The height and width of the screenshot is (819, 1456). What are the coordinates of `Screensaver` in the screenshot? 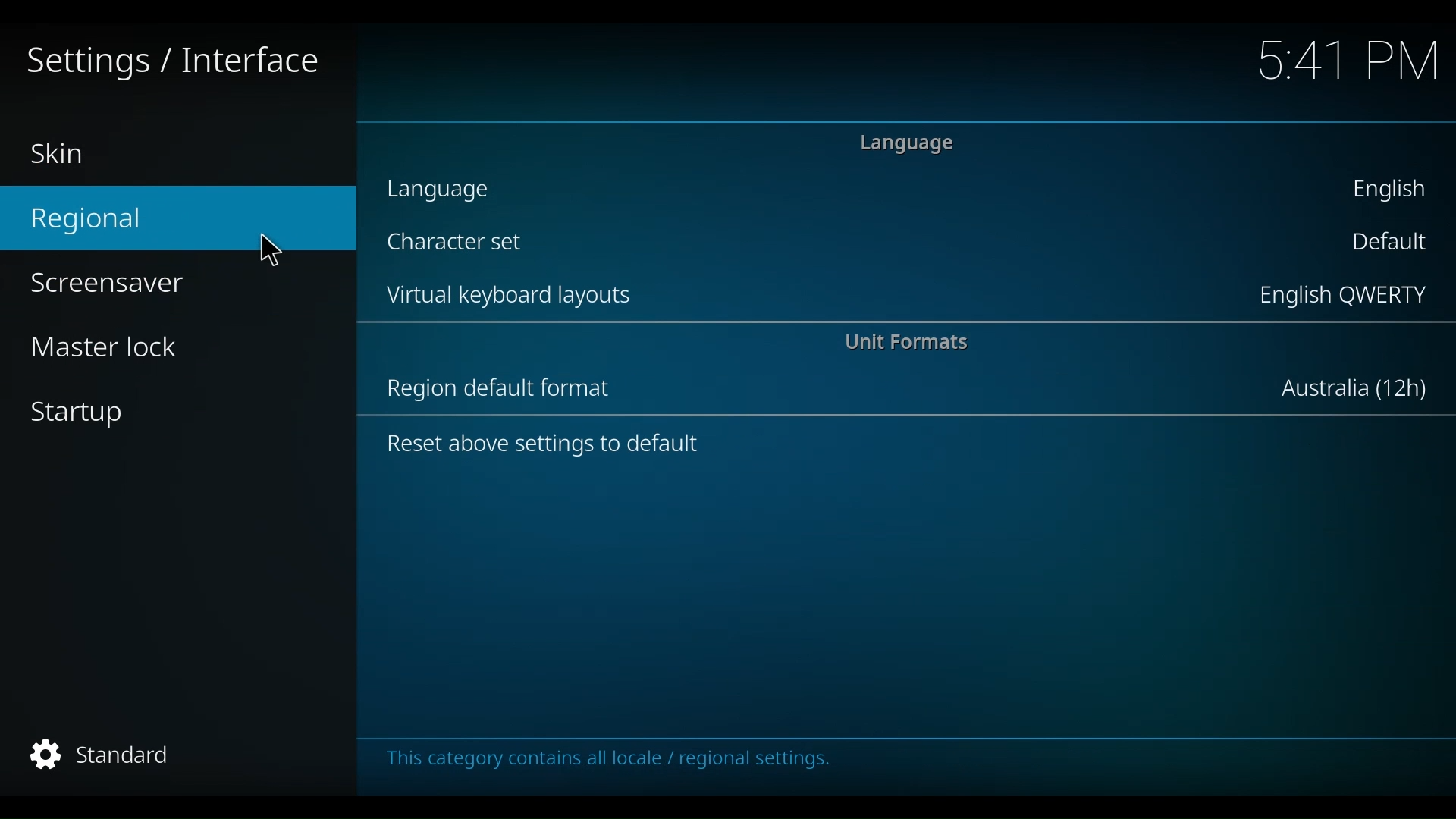 It's located at (111, 282).